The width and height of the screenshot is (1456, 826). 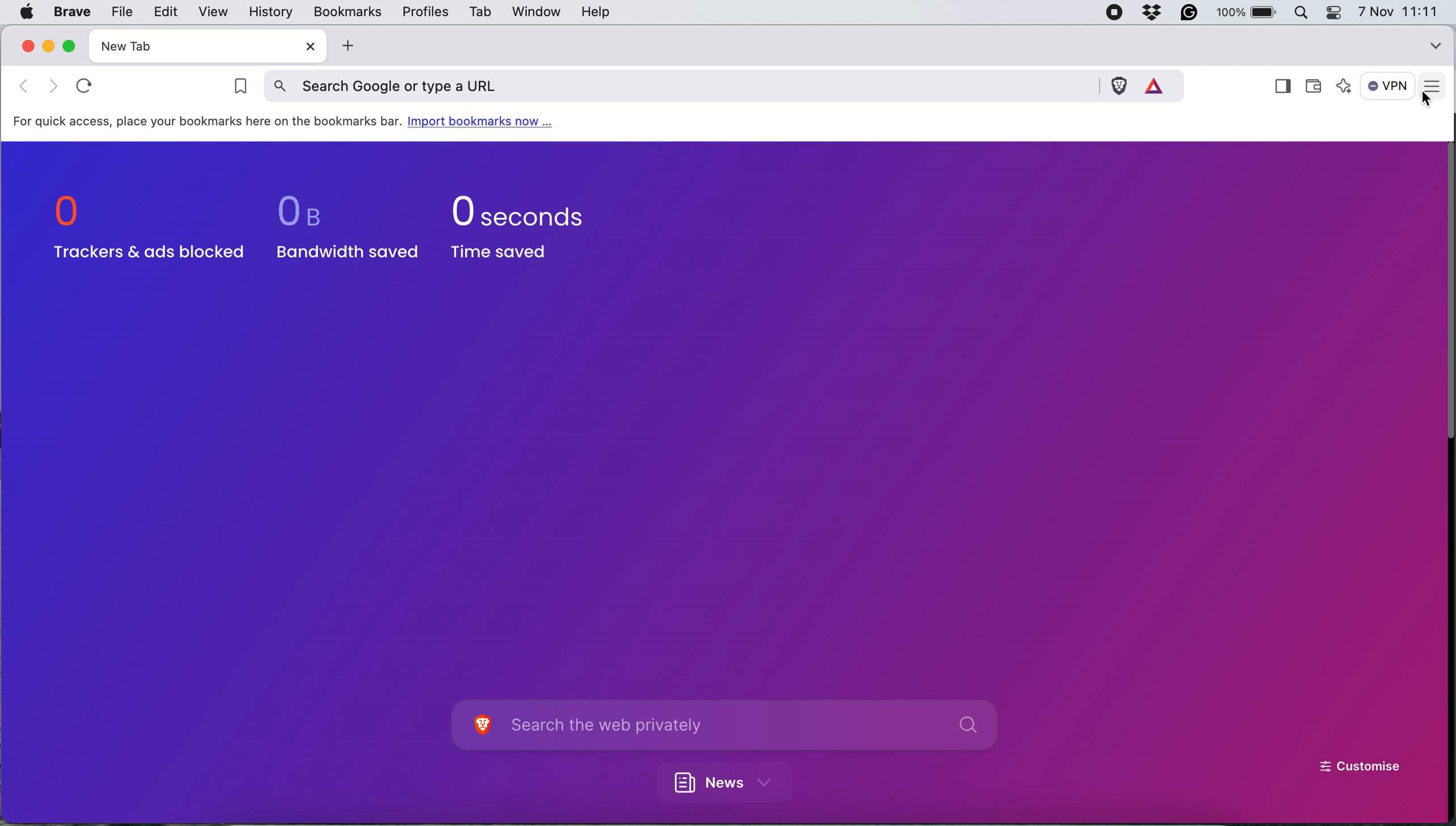 I want to click on 0 seconds time saved, so click(x=521, y=227).